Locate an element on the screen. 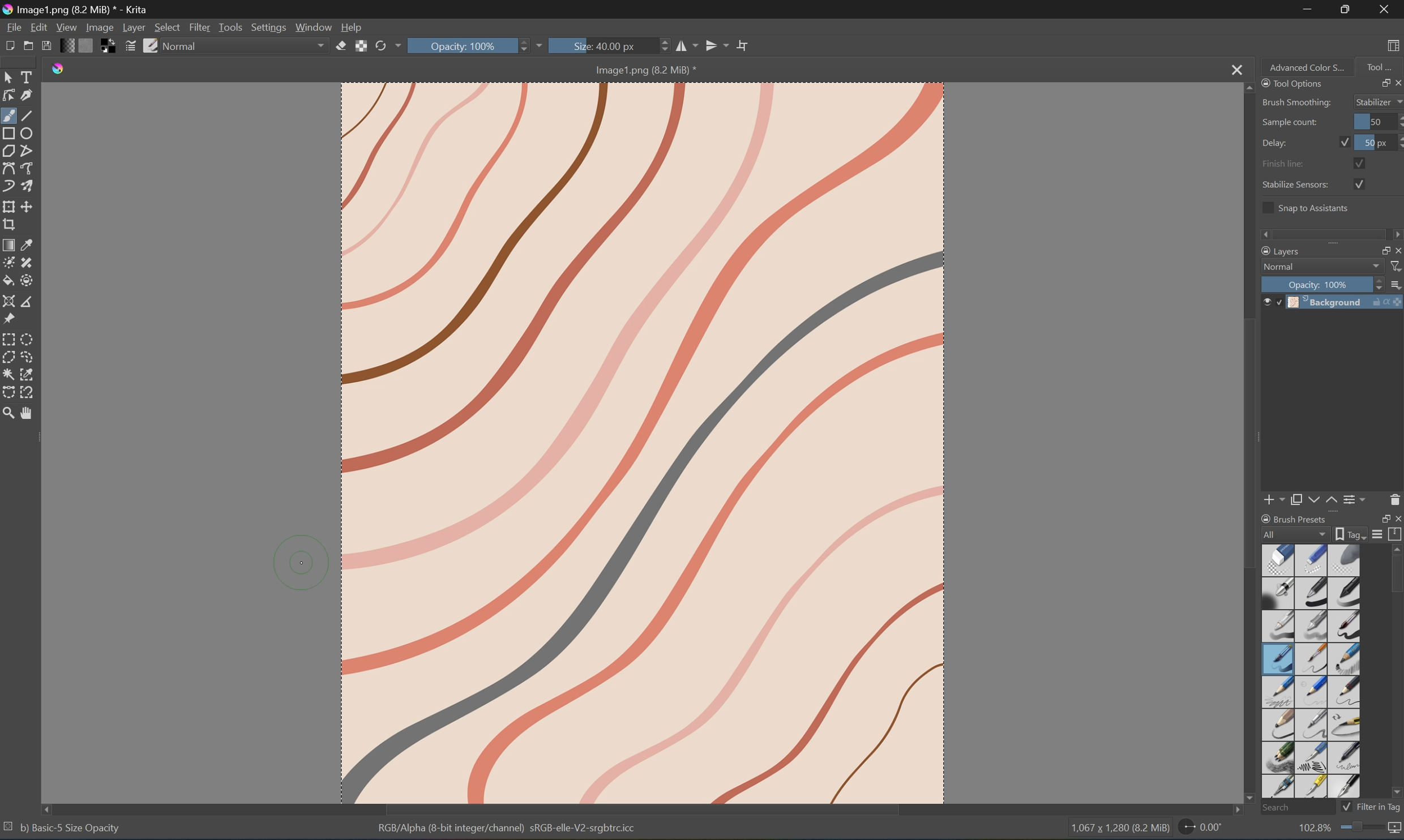  Image is located at coordinates (643, 442).